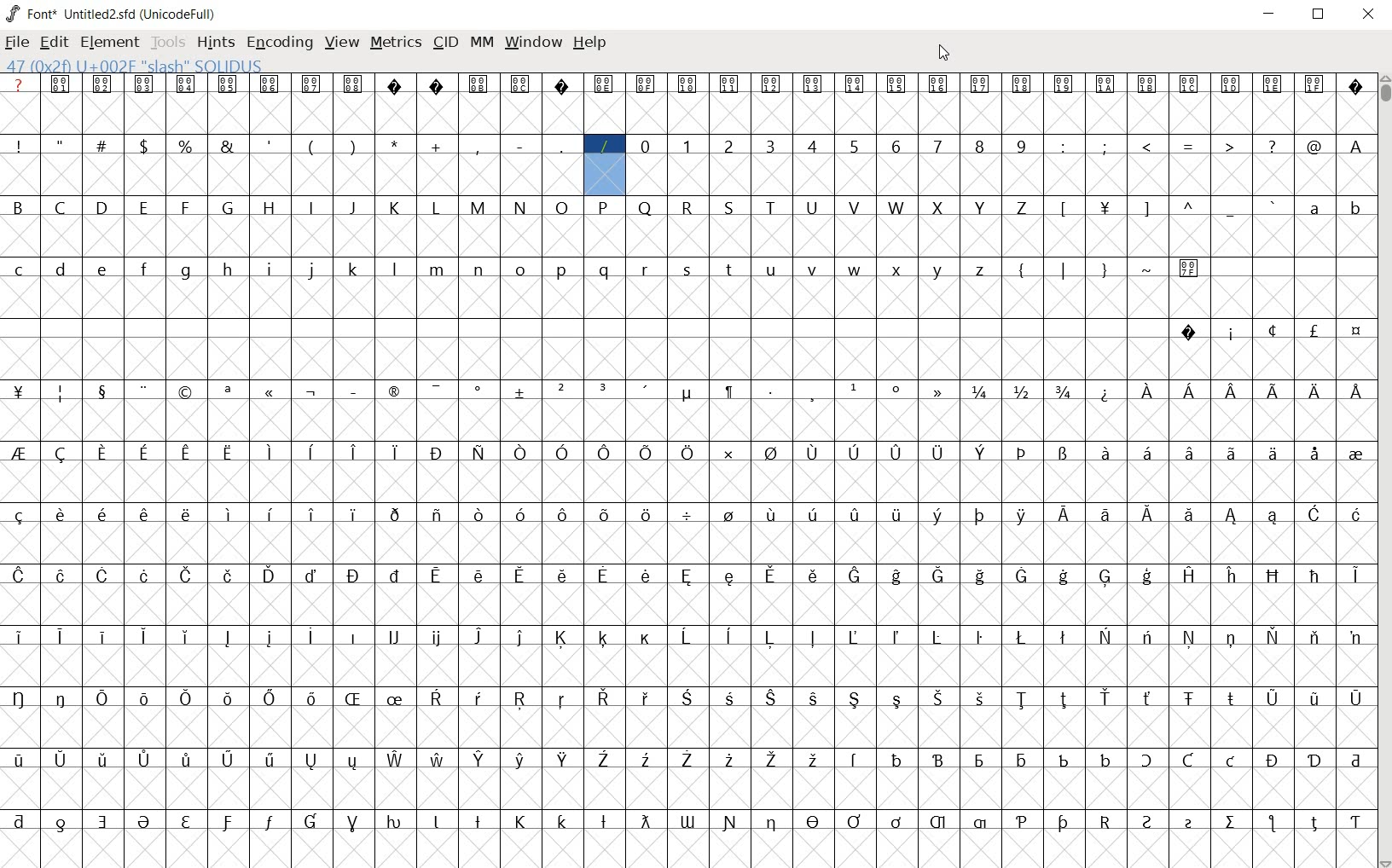 This screenshot has height=868, width=1392. Describe the element at coordinates (354, 515) in the screenshot. I see `glyph` at that location.